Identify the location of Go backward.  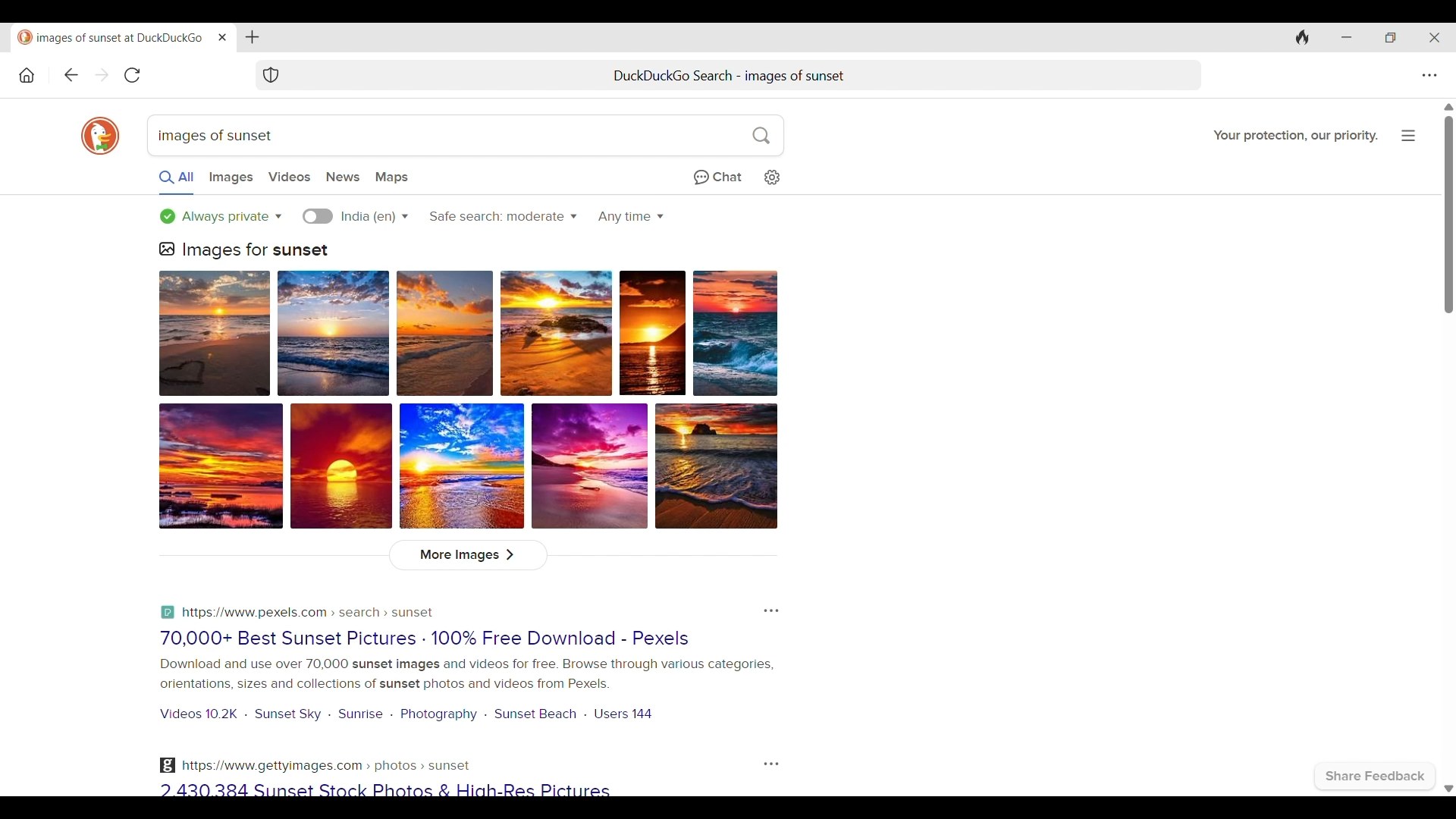
(71, 75).